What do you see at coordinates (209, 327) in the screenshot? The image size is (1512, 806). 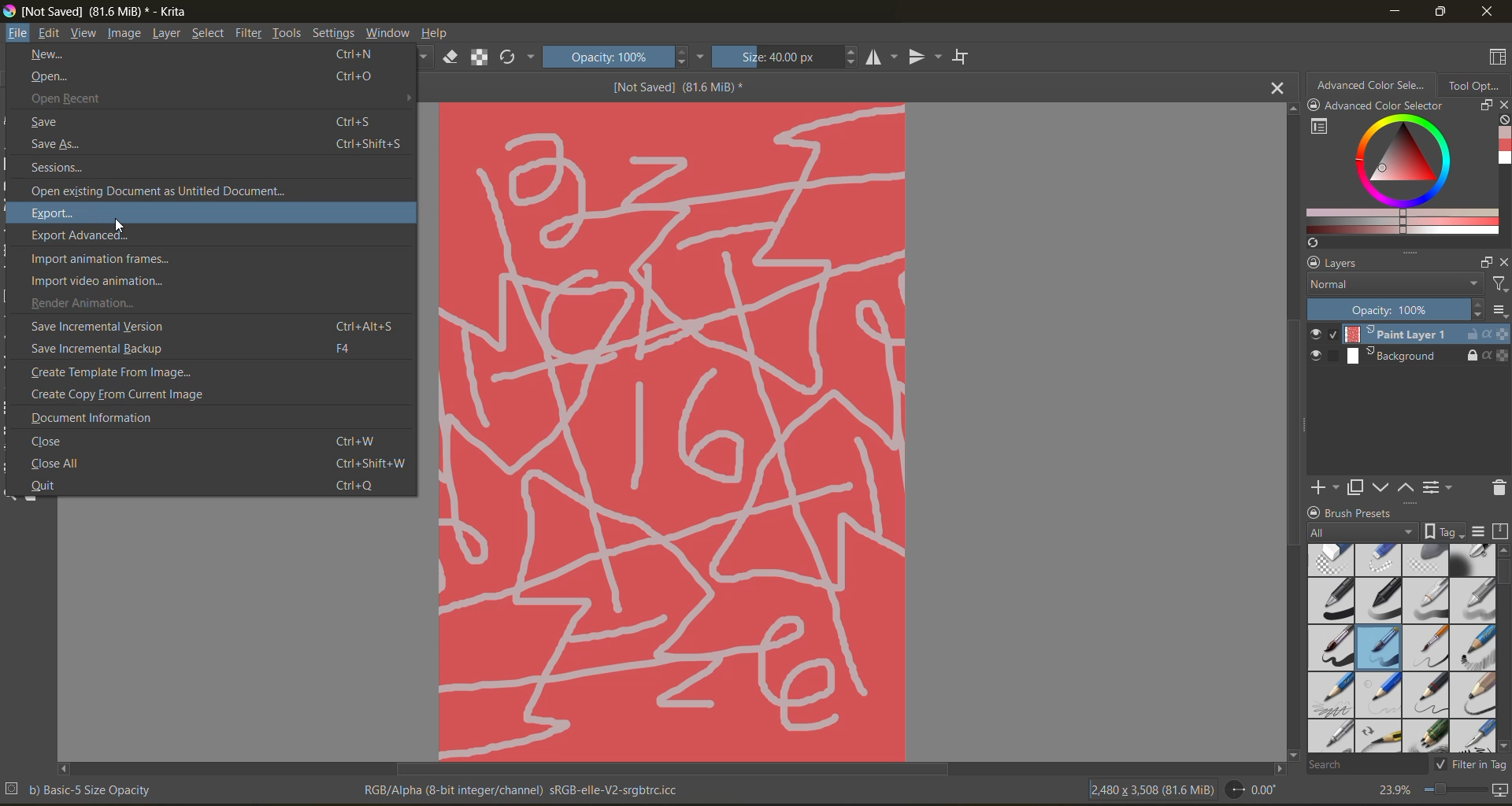 I see `save incremental version` at bounding box center [209, 327].